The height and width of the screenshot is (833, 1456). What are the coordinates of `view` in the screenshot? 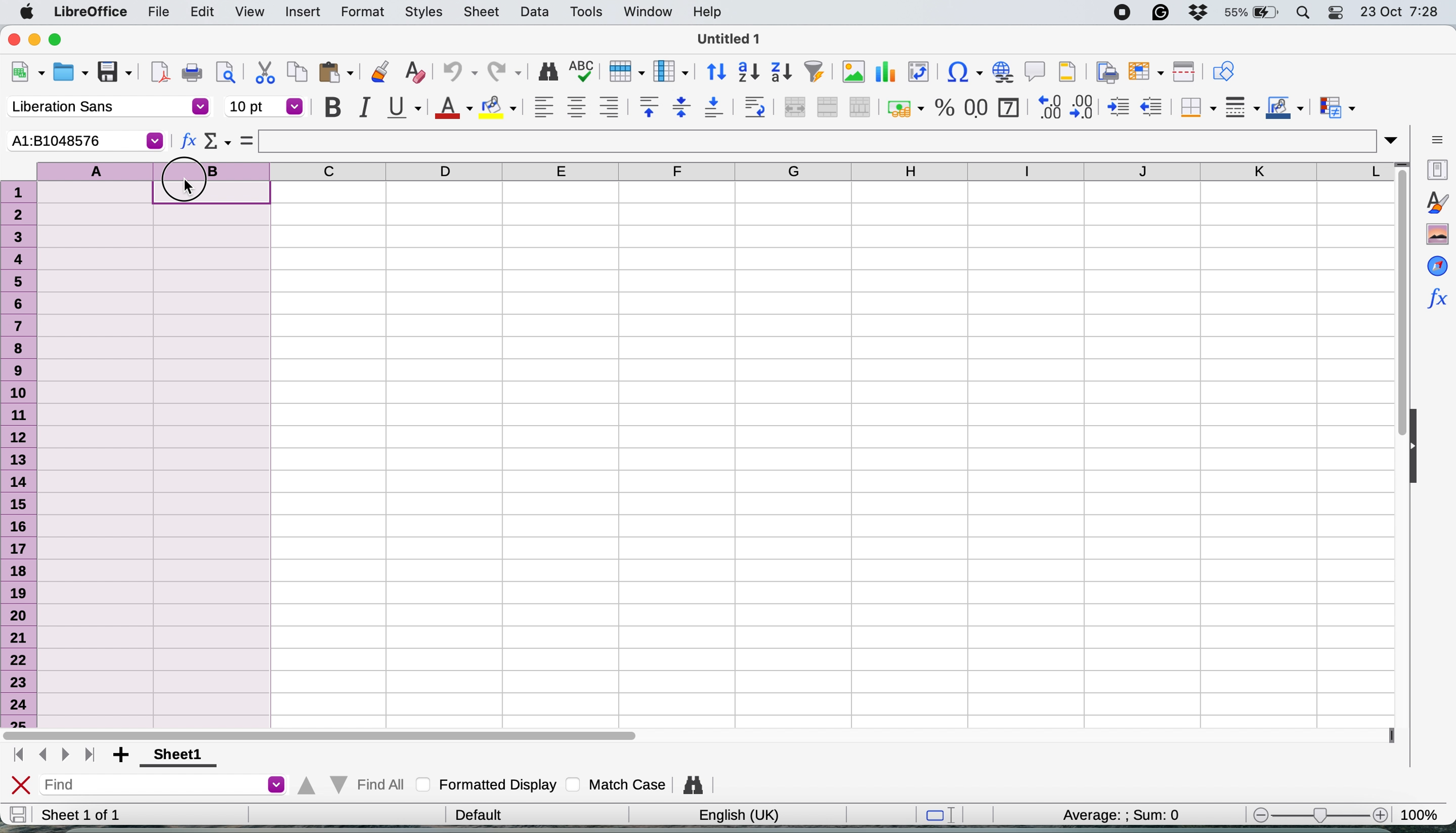 It's located at (249, 13).